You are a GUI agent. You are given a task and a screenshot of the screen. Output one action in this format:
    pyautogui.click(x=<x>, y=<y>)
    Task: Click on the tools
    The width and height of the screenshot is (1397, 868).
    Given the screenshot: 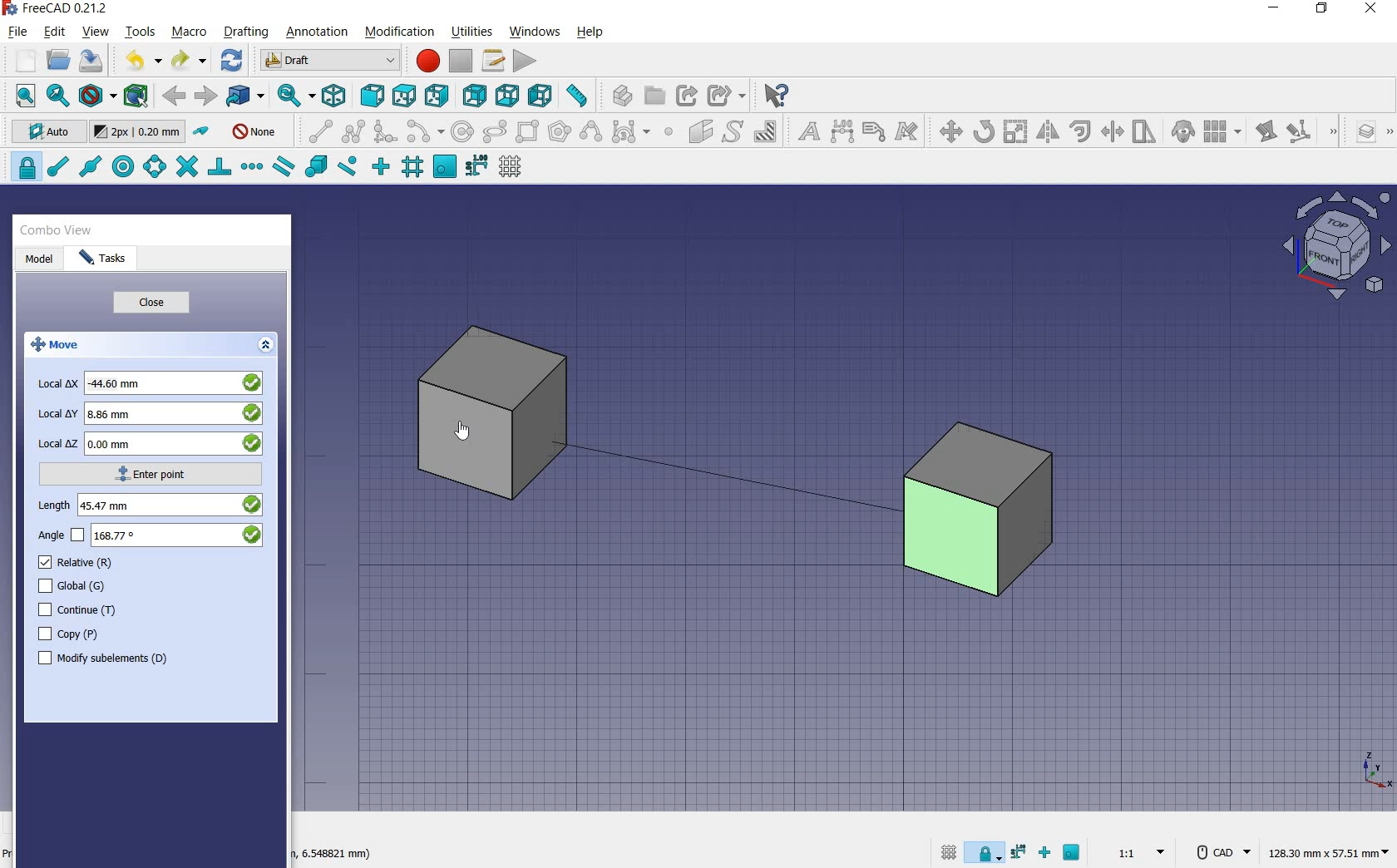 What is the action you would take?
    pyautogui.click(x=142, y=33)
    